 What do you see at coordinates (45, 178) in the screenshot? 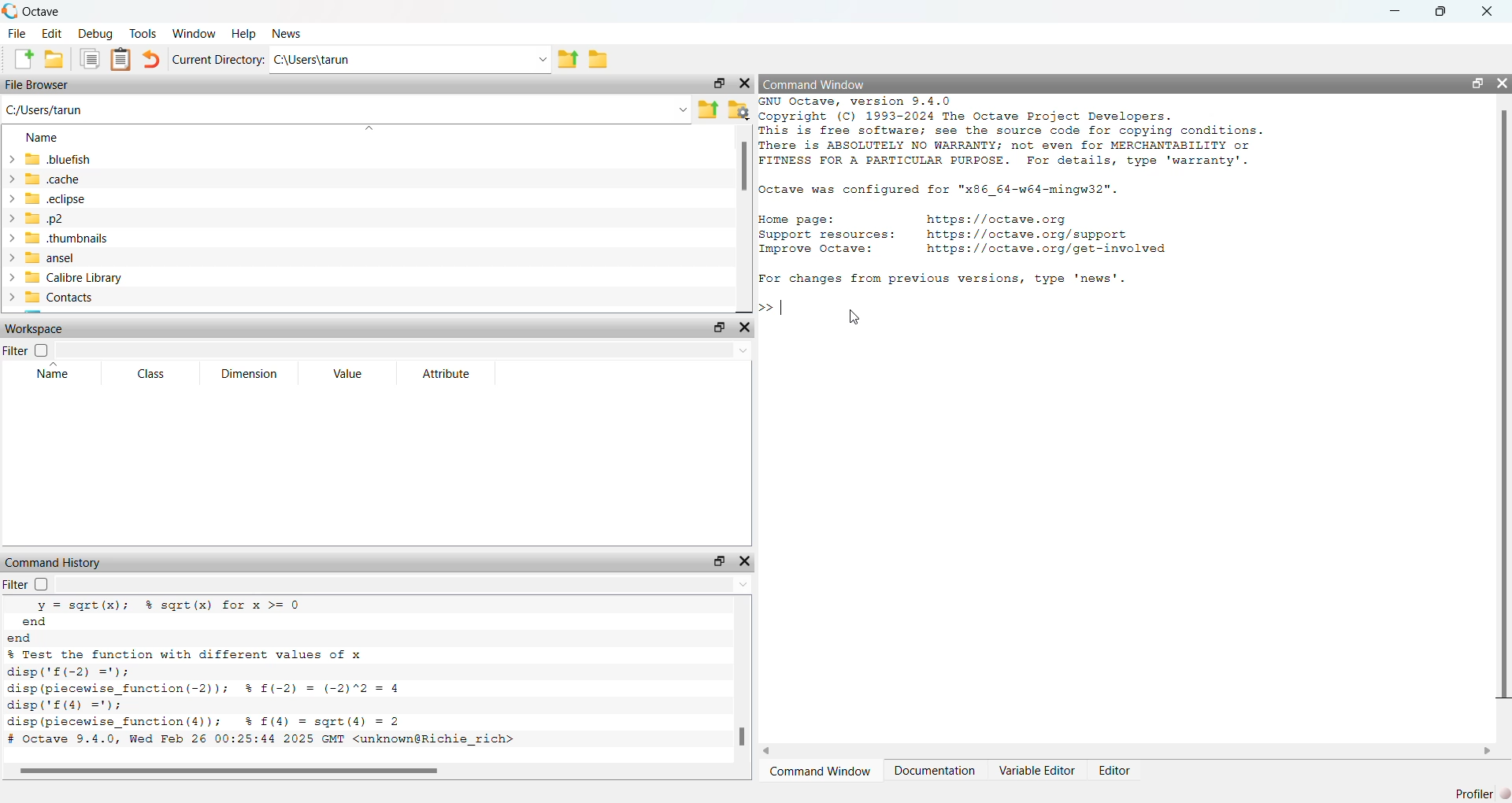
I see `>cache` at bounding box center [45, 178].